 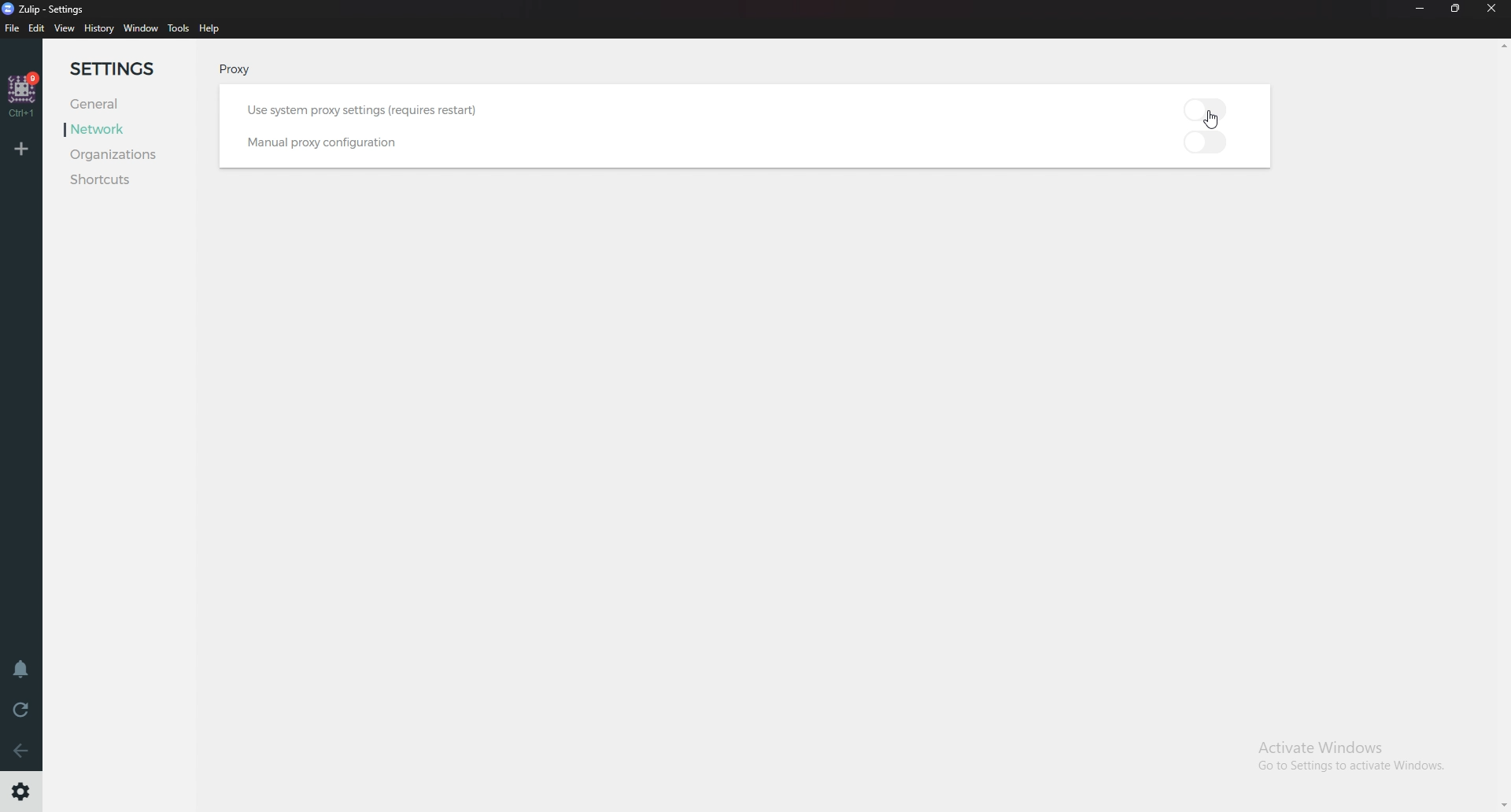 What do you see at coordinates (122, 181) in the screenshot?
I see `Shortcuts` at bounding box center [122, 181].